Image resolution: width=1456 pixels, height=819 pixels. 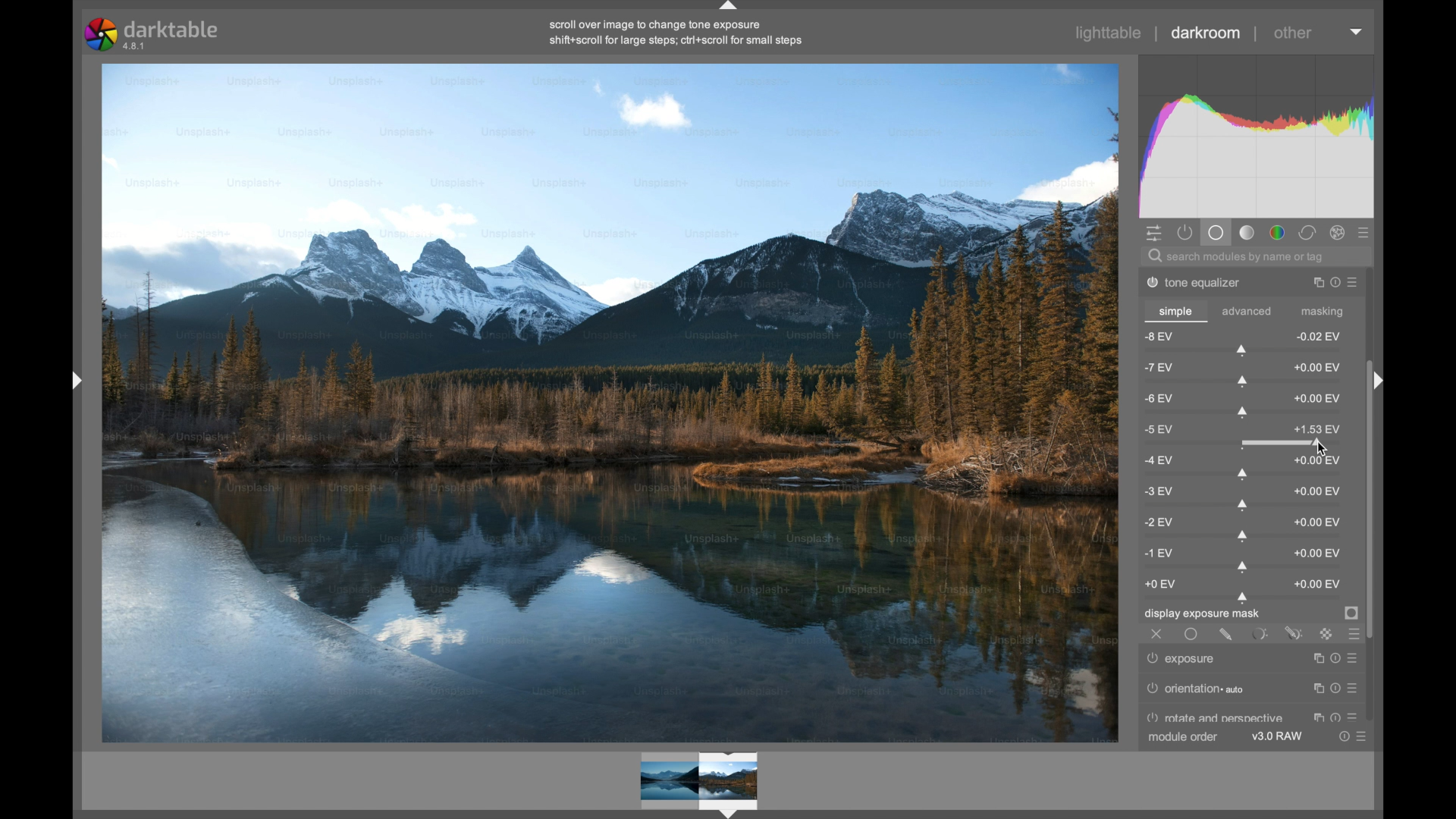 What do you see at coordinates (1257, 715) in the screenshot?
I see `perspective` at bounding box center [1257, 715].